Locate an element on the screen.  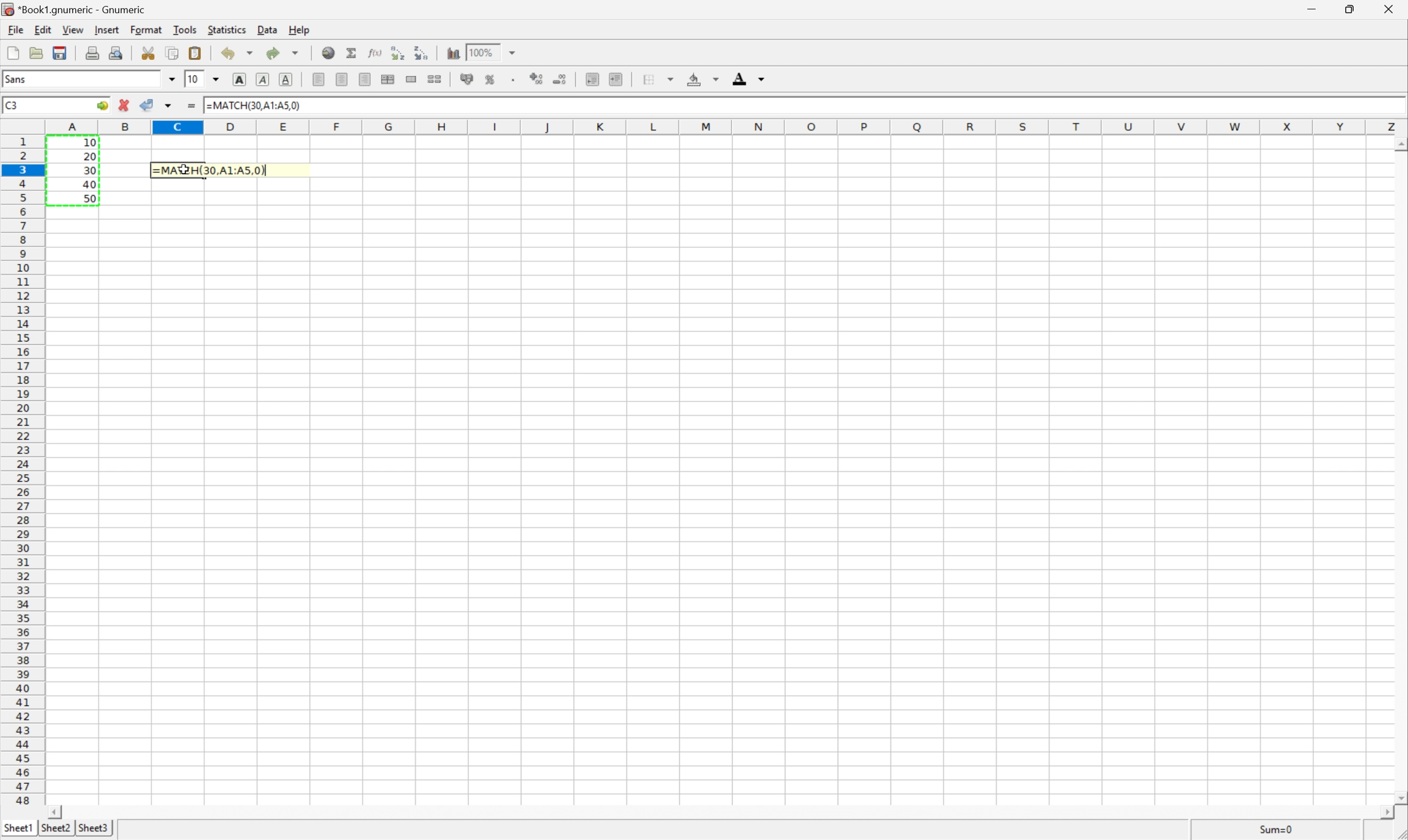
Underline text is located at coordinates (286, 81).